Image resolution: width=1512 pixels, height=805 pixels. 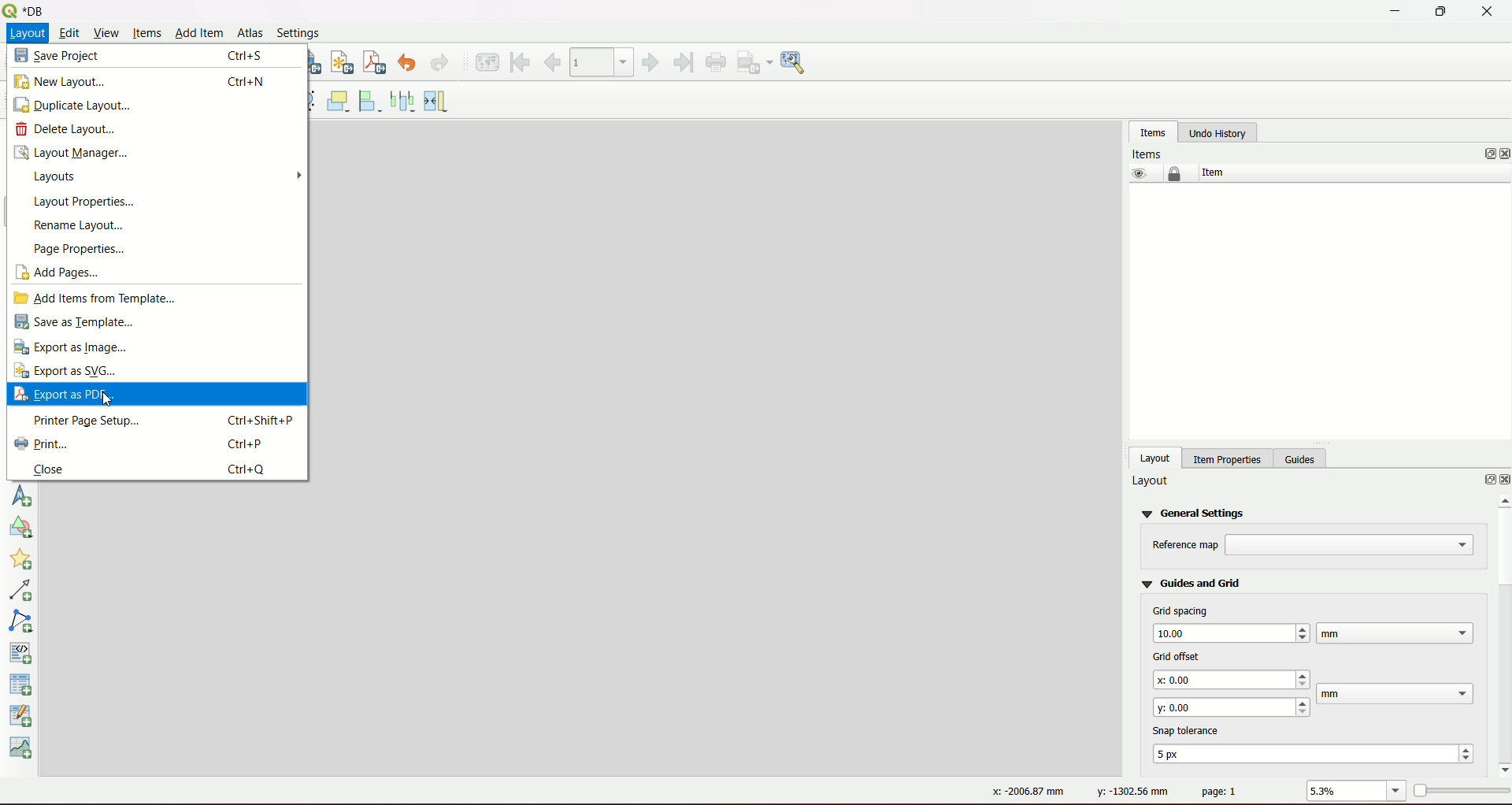 What do you see at coordinates (1150, 153) in the screenshot?
I see `Items` at bounding box center [1150, 153].